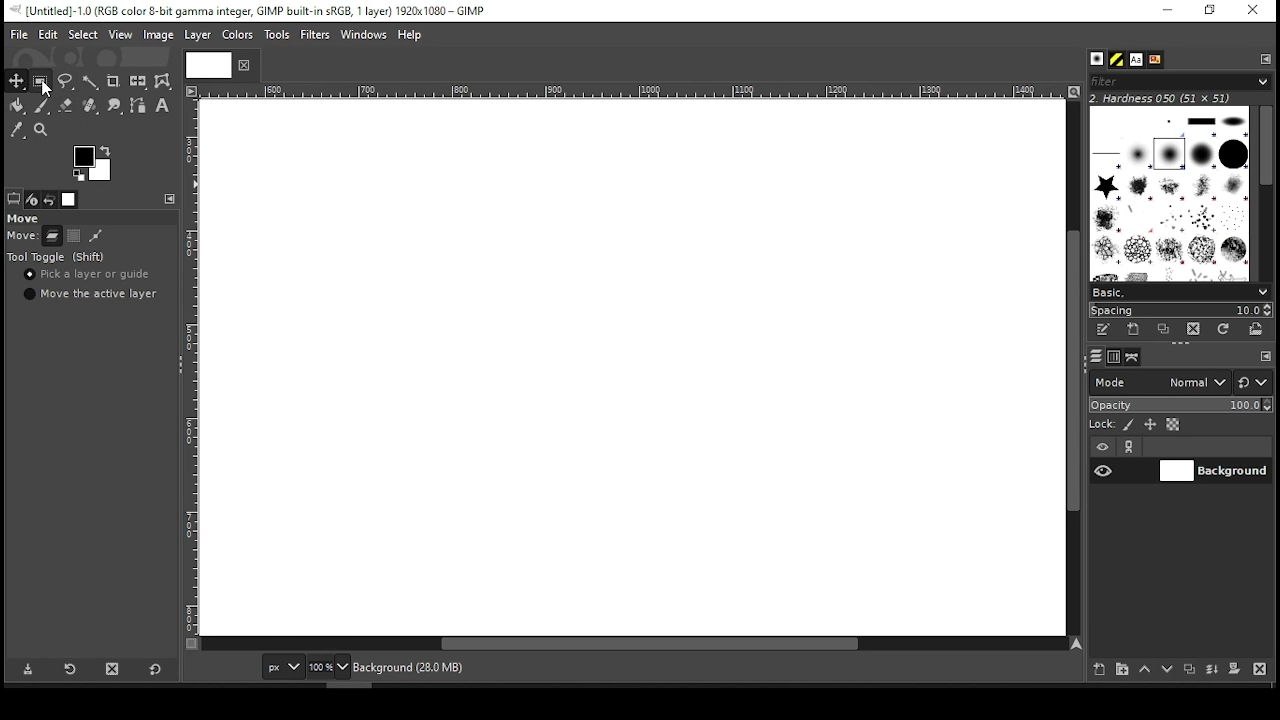  Describe the element at coordinates (1265, 192) in the screenshot. I see `scroll bar` at that location.